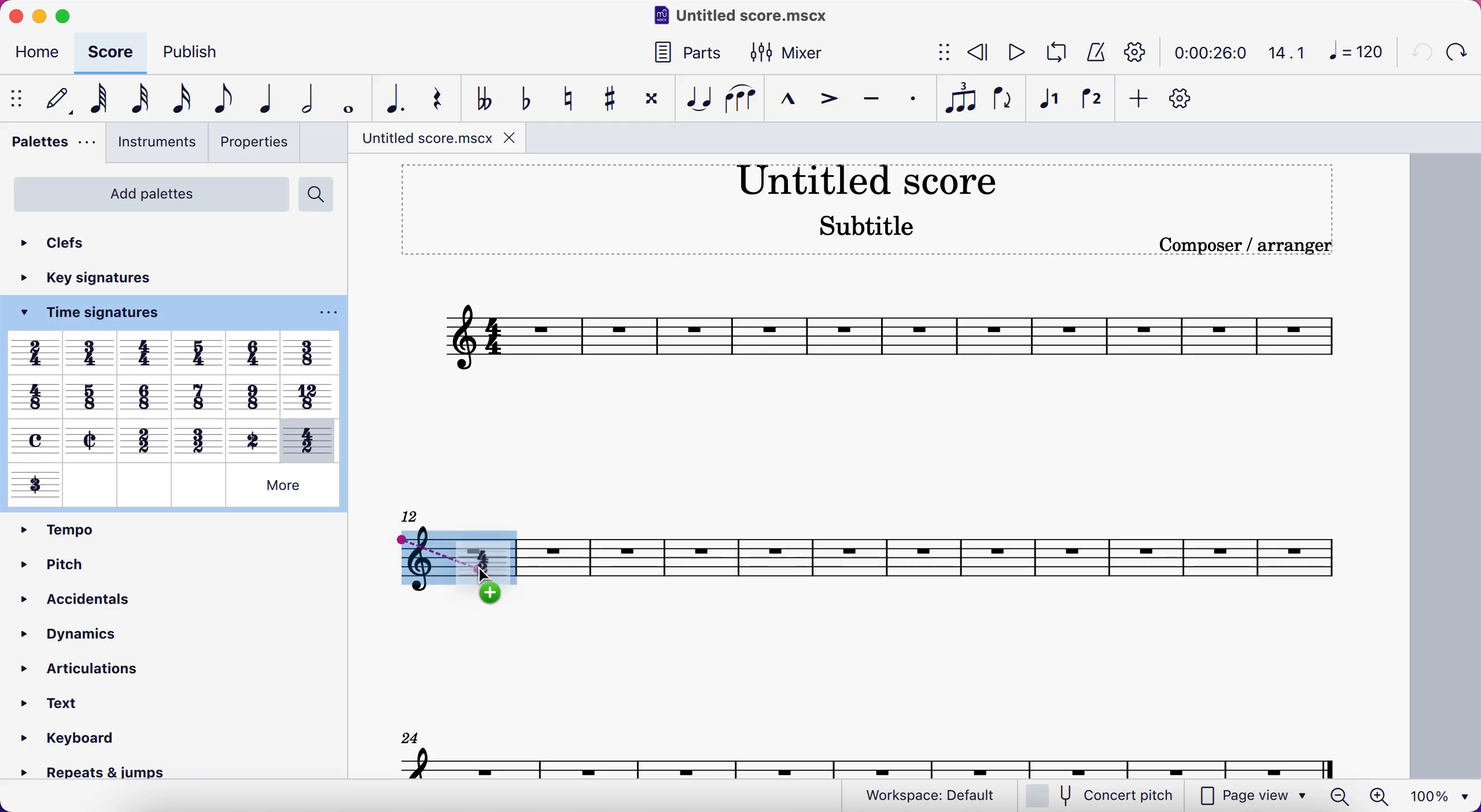 The width and height of the screenshot is (1481, 812). I want to click on , so click(35, 352).